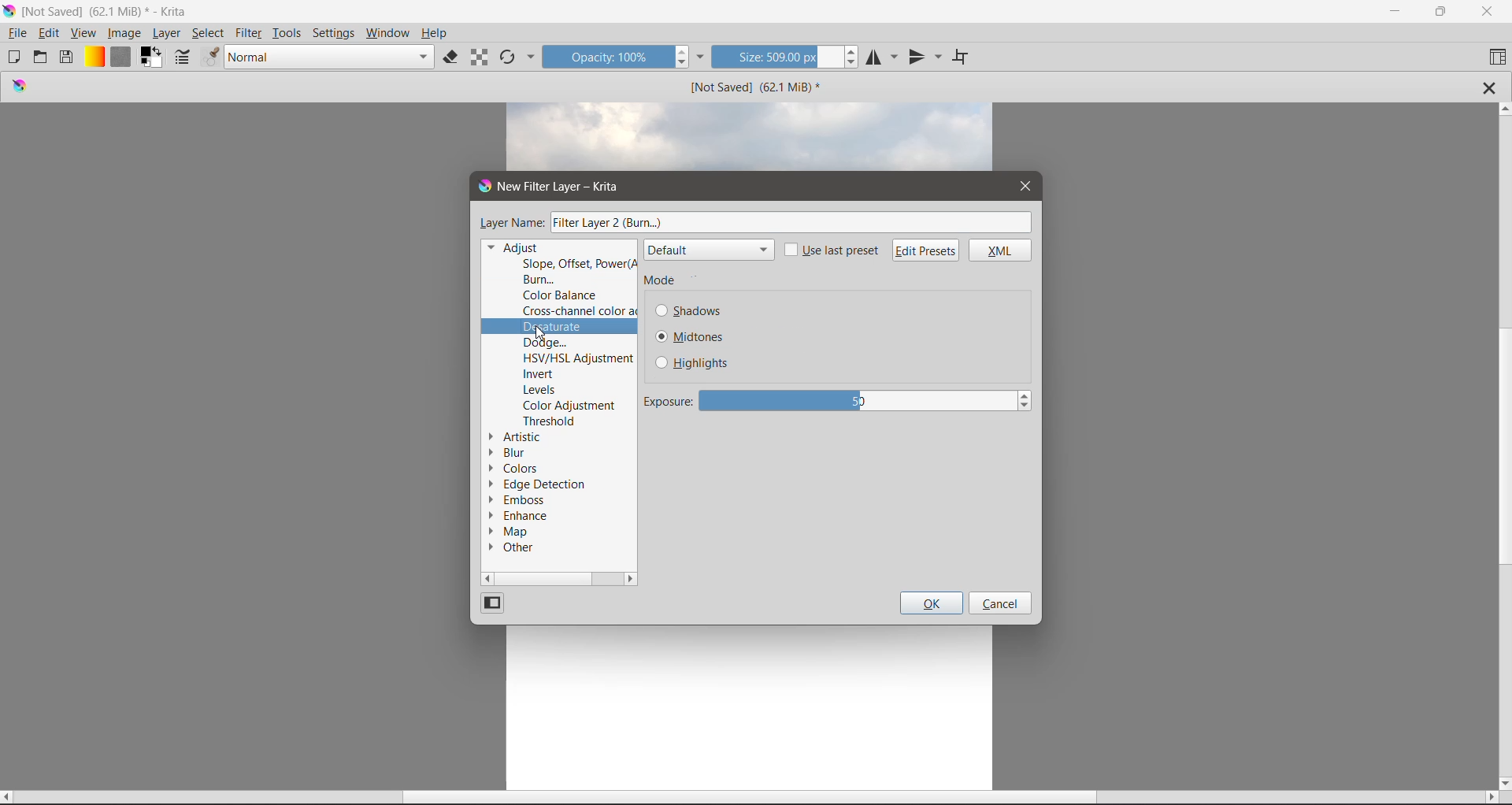 Image resolution: width=1512 pixels, height=805 pixels. Describe the element at coordinates (865, 400) in the screenshot. I see `50` at that location.